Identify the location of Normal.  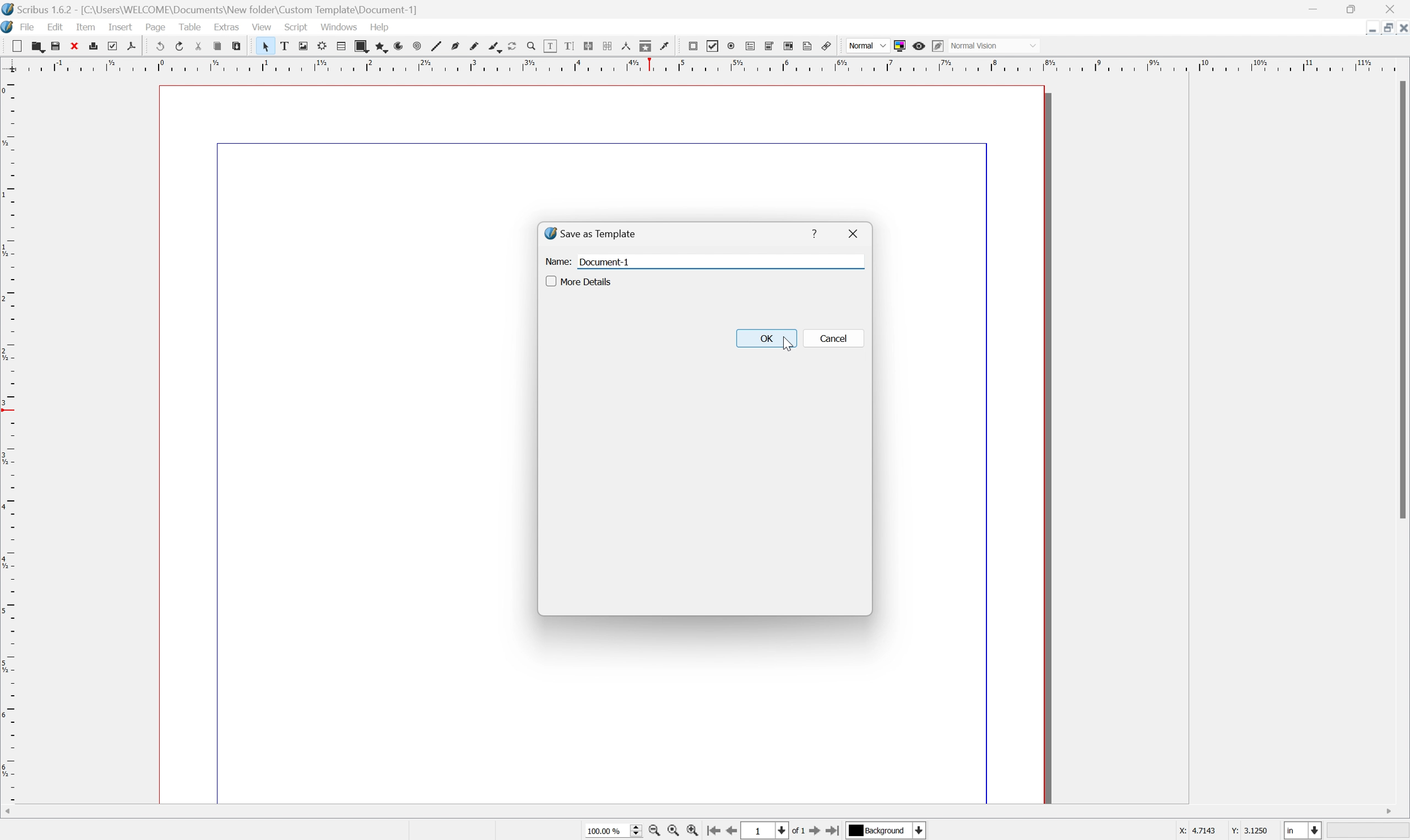
(867, 46).